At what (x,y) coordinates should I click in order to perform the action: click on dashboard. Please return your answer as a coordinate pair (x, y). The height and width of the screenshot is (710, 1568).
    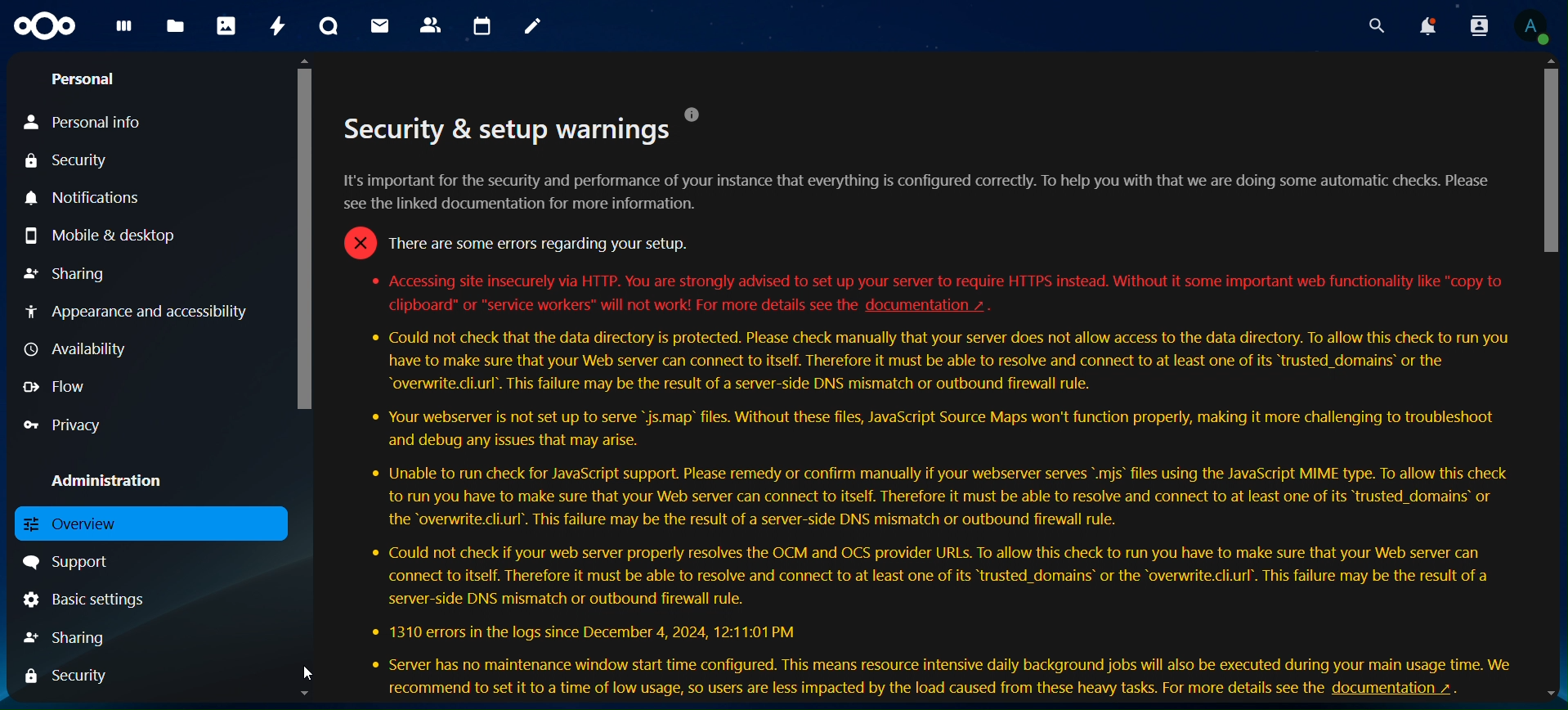
    Looking at the image, I should click on (123, 32).